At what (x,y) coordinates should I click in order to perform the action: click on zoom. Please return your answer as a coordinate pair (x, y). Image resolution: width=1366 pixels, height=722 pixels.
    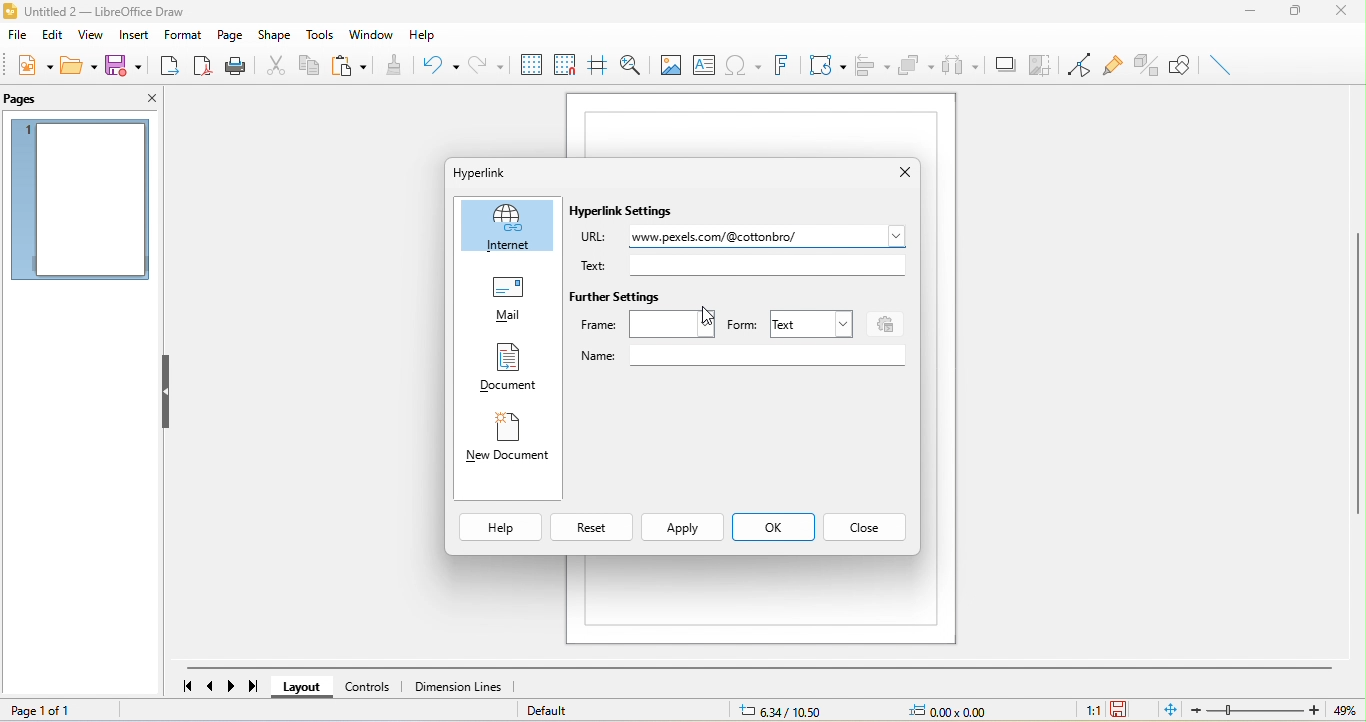
    Looking at the image, I should click on (1258, 710).